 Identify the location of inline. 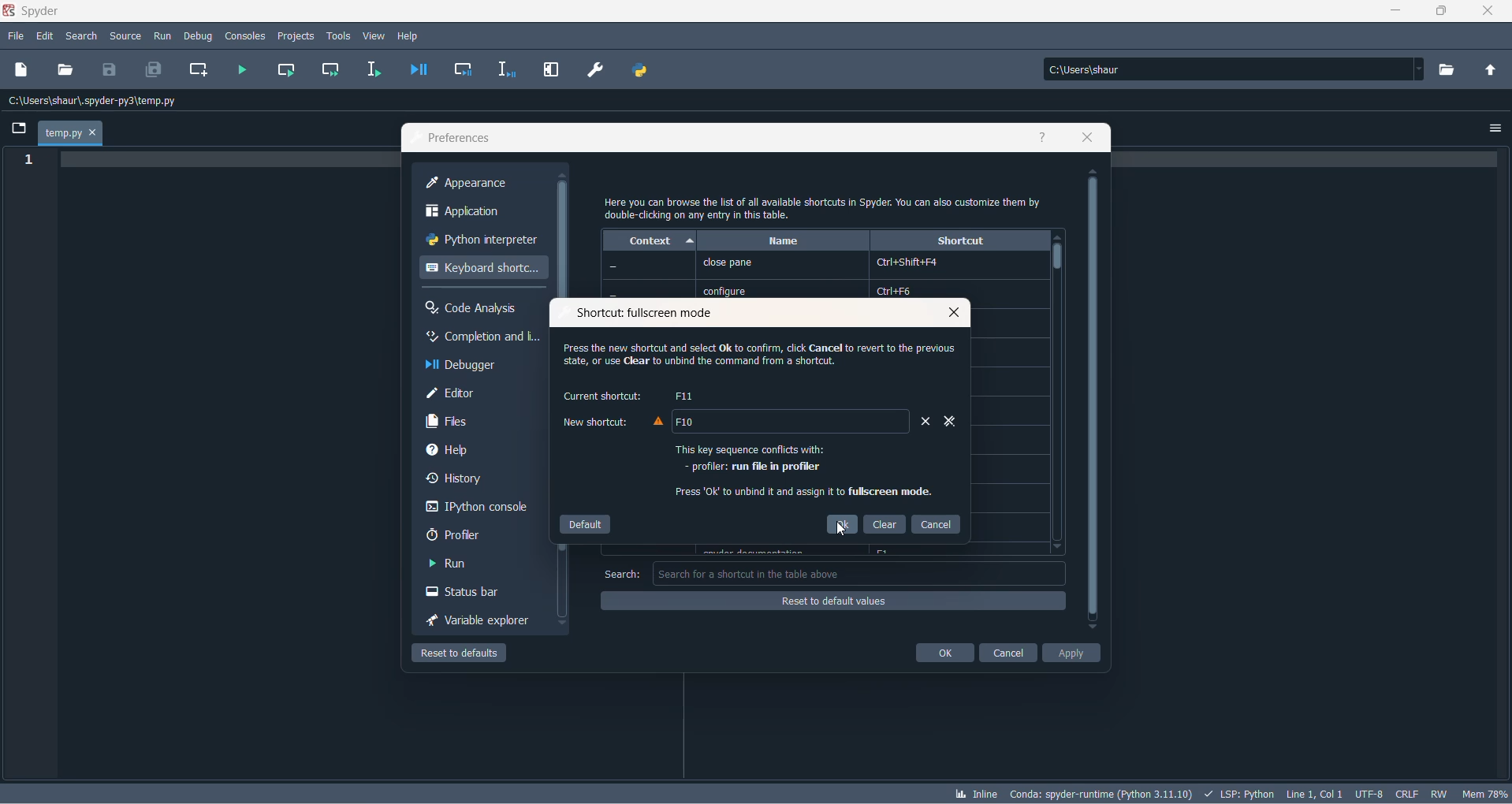
(975, 795).